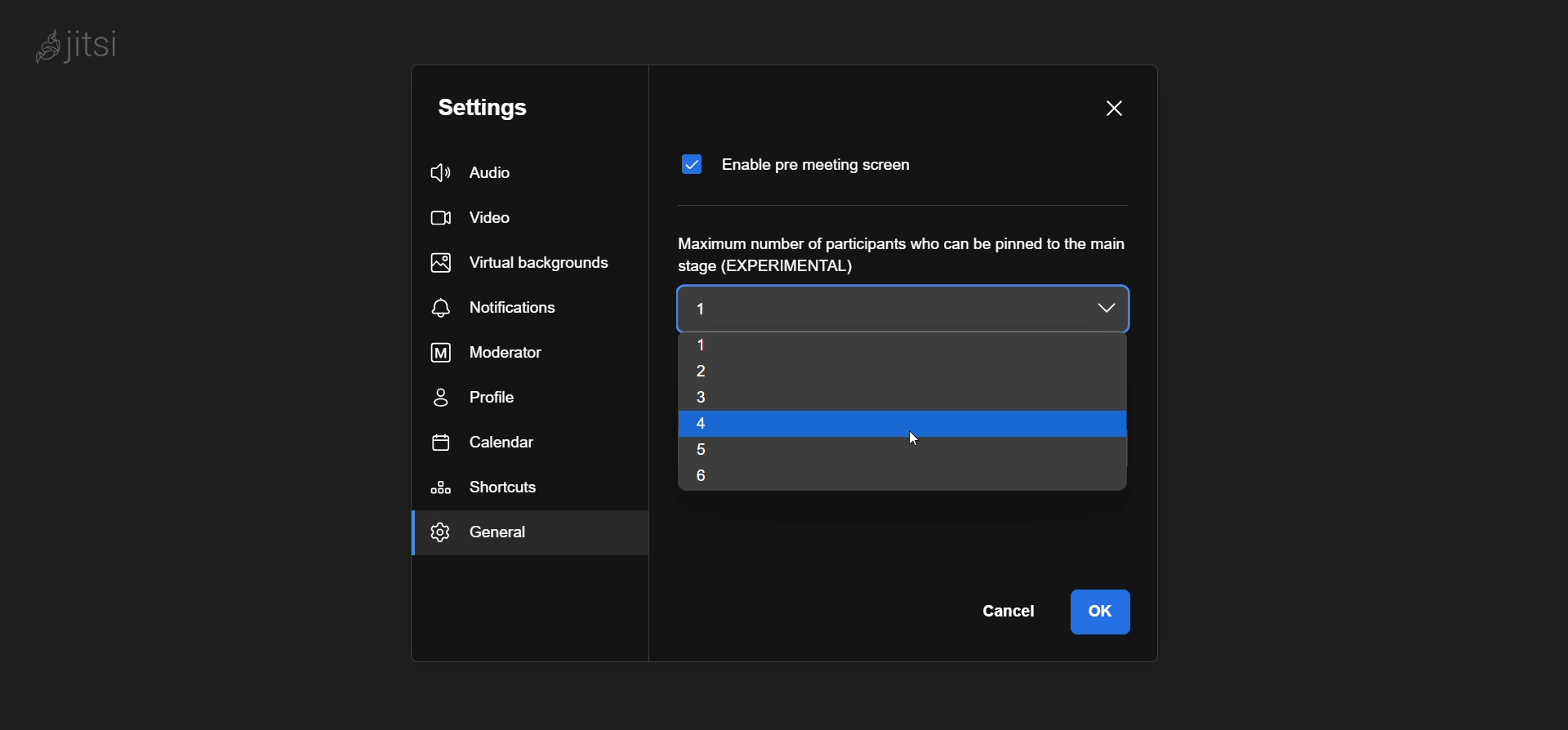 The width and height of the screenshot is (1568, 730). What do you see at coordinates (493, 488) in the screenshot?
I see `shortcuts` at bounding box center [493, 488].